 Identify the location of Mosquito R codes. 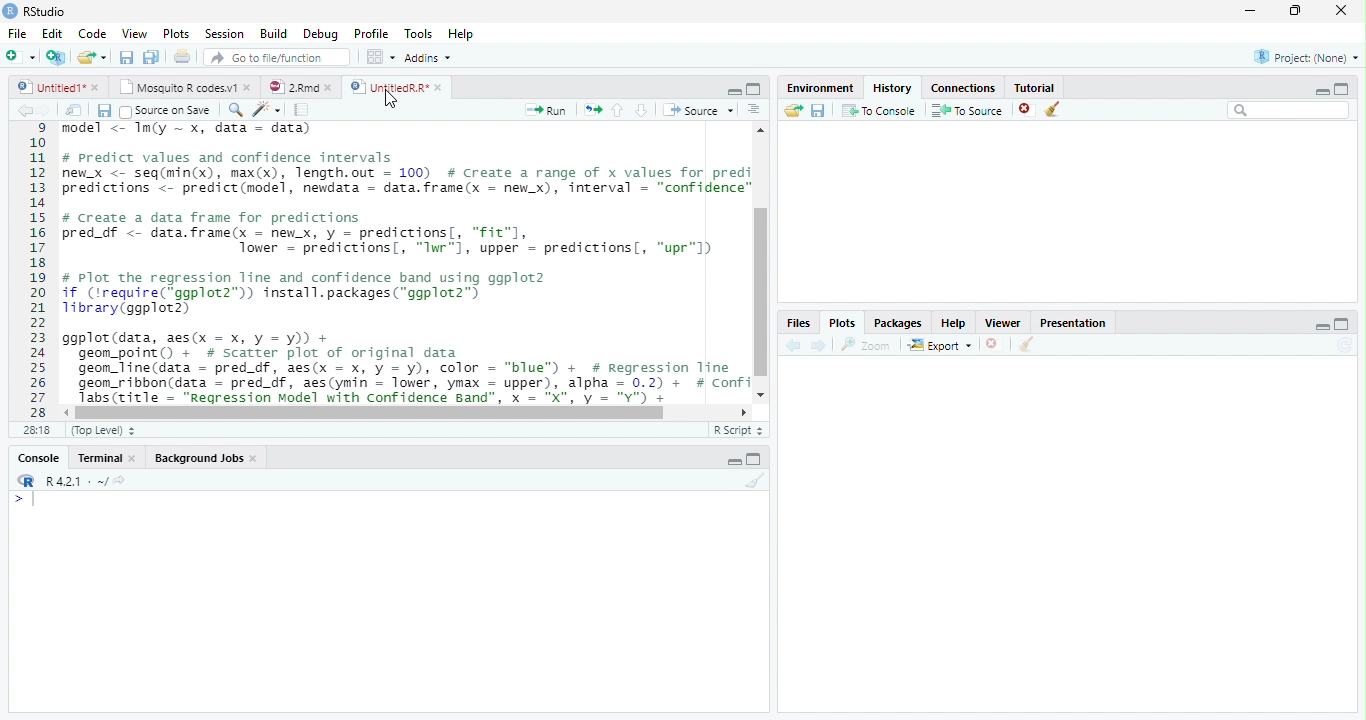
(184, 87).